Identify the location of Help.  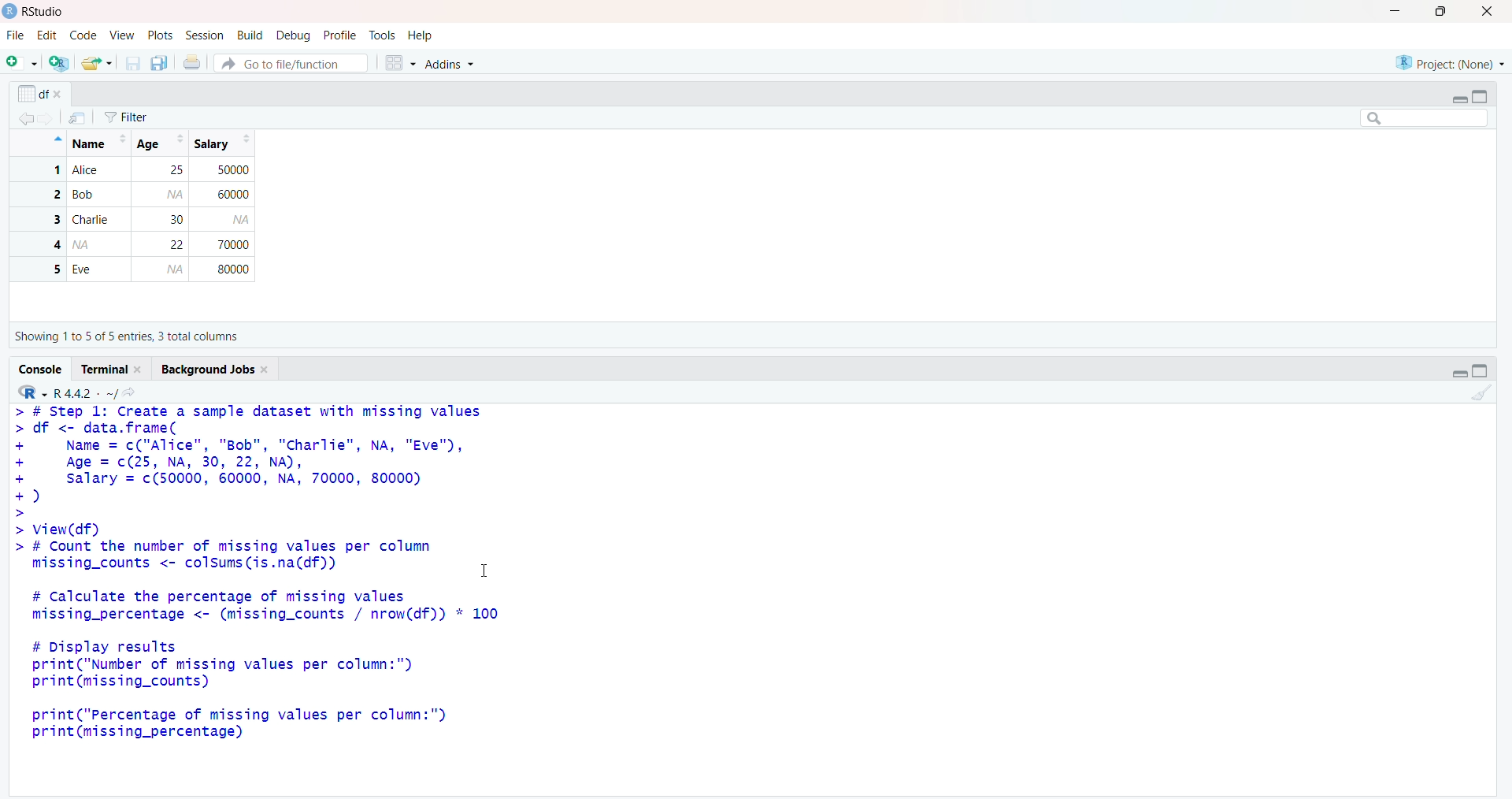
(422, 35).